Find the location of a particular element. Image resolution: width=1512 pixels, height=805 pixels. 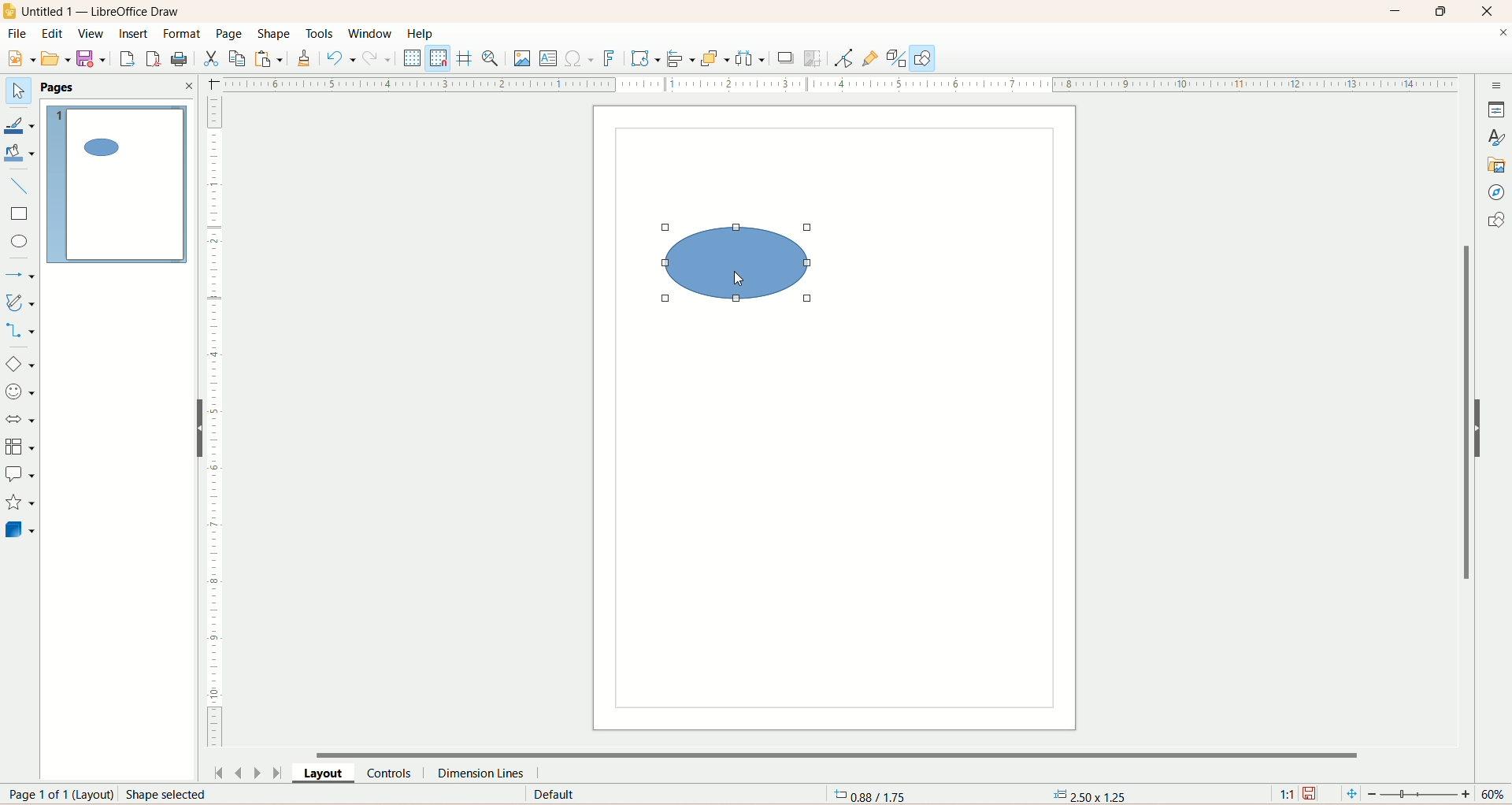

last page is located at coordinates (282, 773).